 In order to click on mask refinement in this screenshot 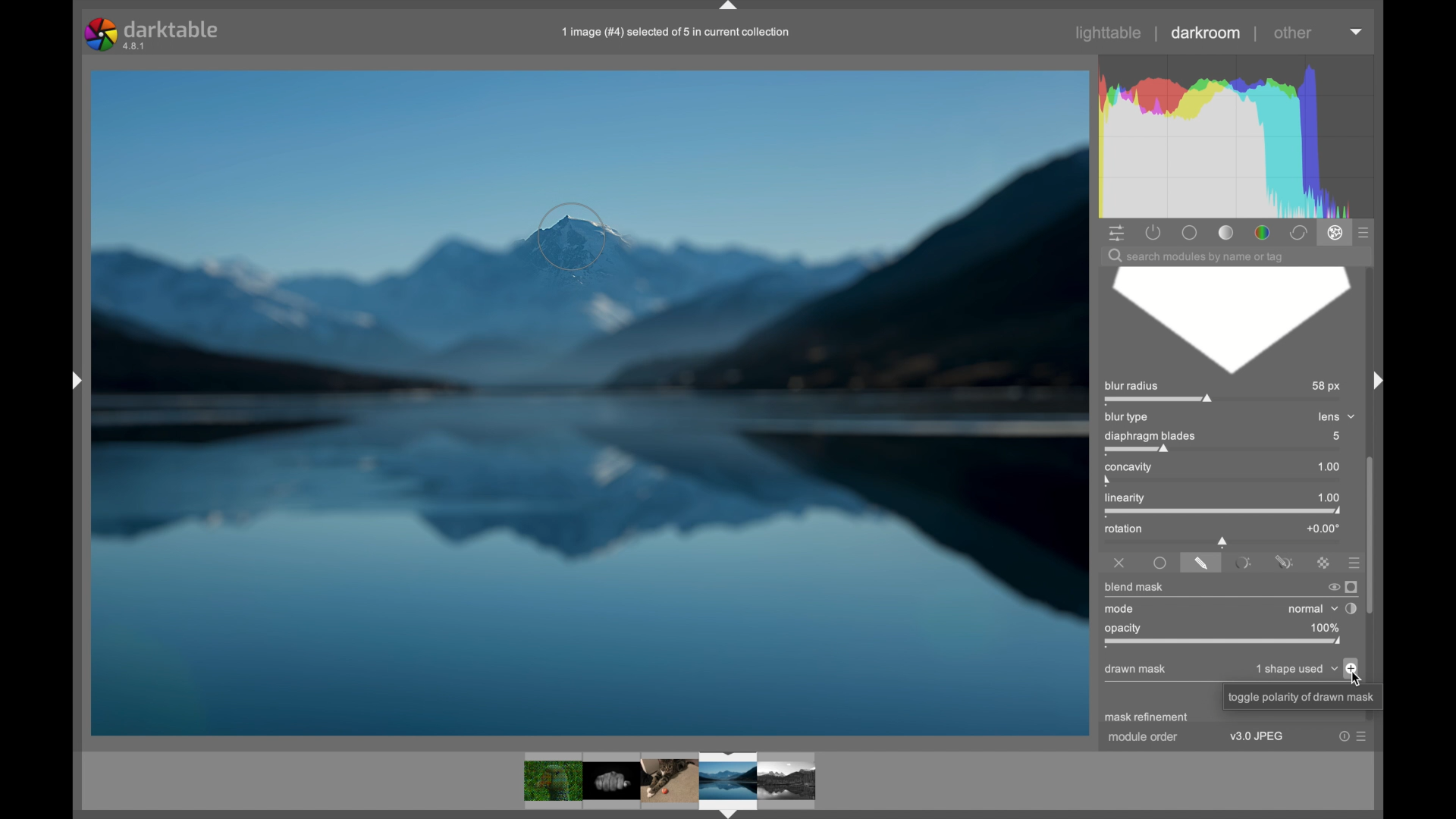, I will do `click(1146, 718)`.